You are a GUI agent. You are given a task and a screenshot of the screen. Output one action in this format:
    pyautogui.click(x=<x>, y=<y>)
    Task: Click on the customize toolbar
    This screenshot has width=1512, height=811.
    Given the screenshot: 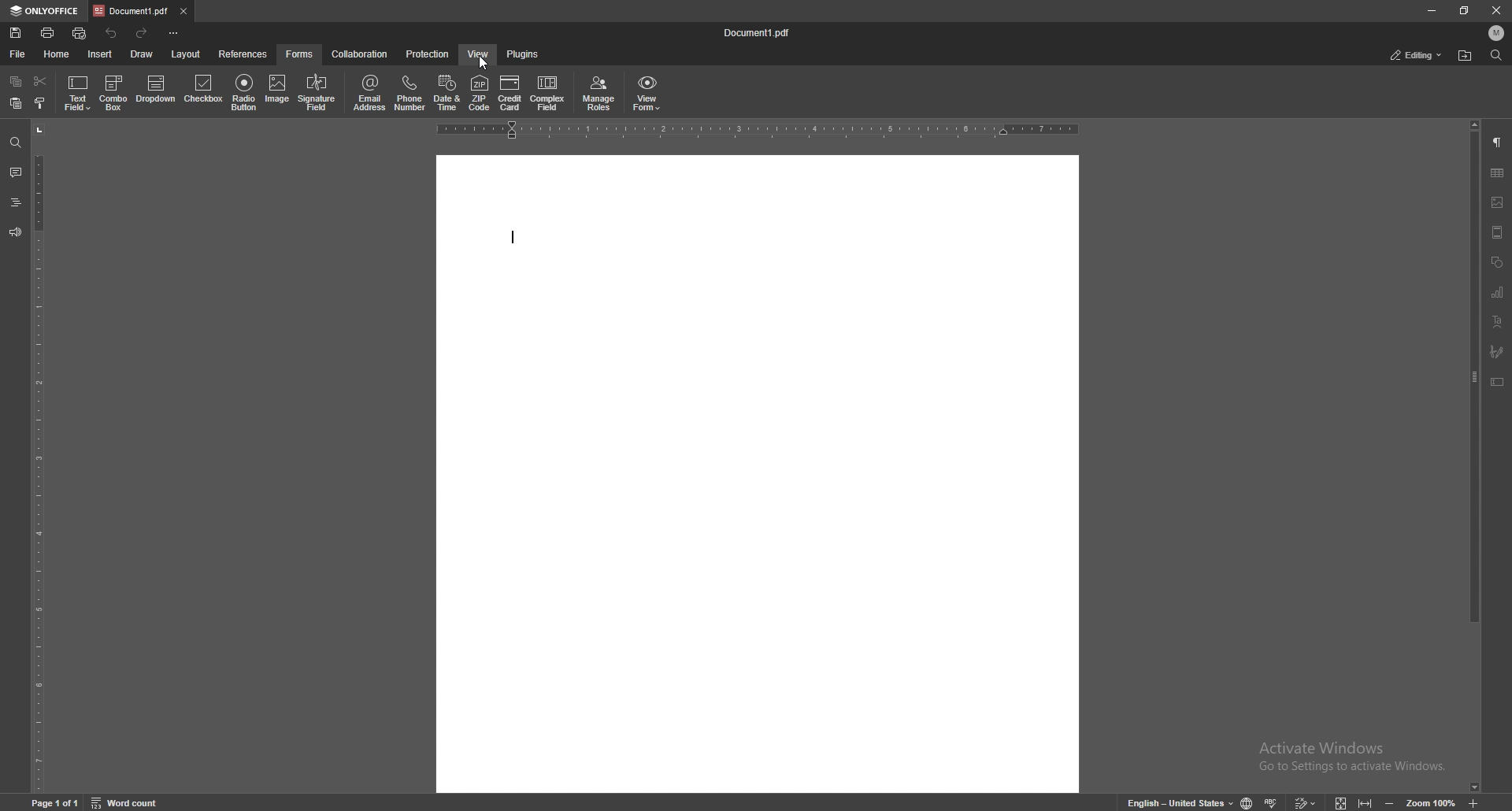 What is the action you would take?
    pyautogui.click(x=176, y=33)
    